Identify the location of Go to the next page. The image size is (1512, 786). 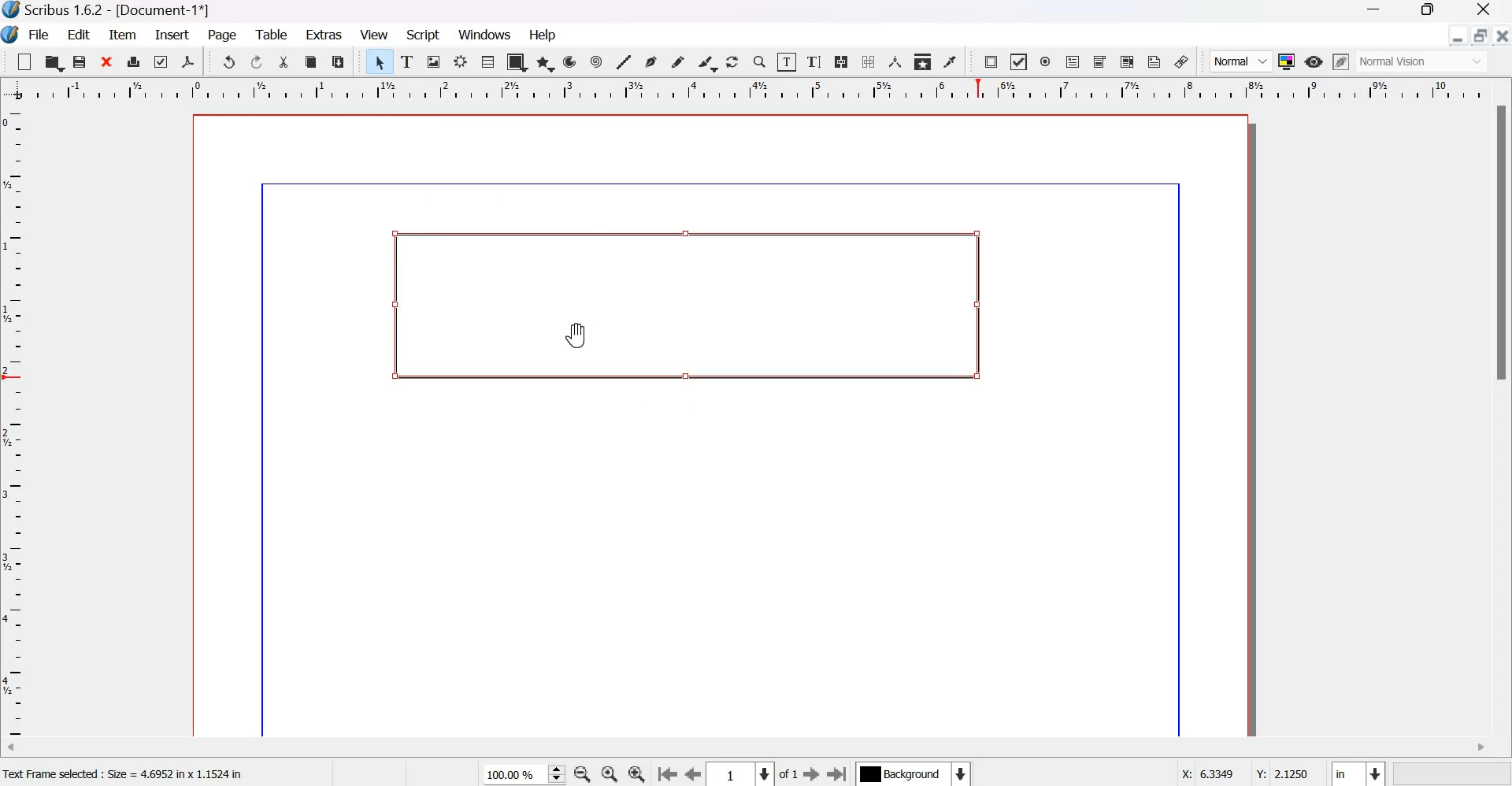
(811, 774).